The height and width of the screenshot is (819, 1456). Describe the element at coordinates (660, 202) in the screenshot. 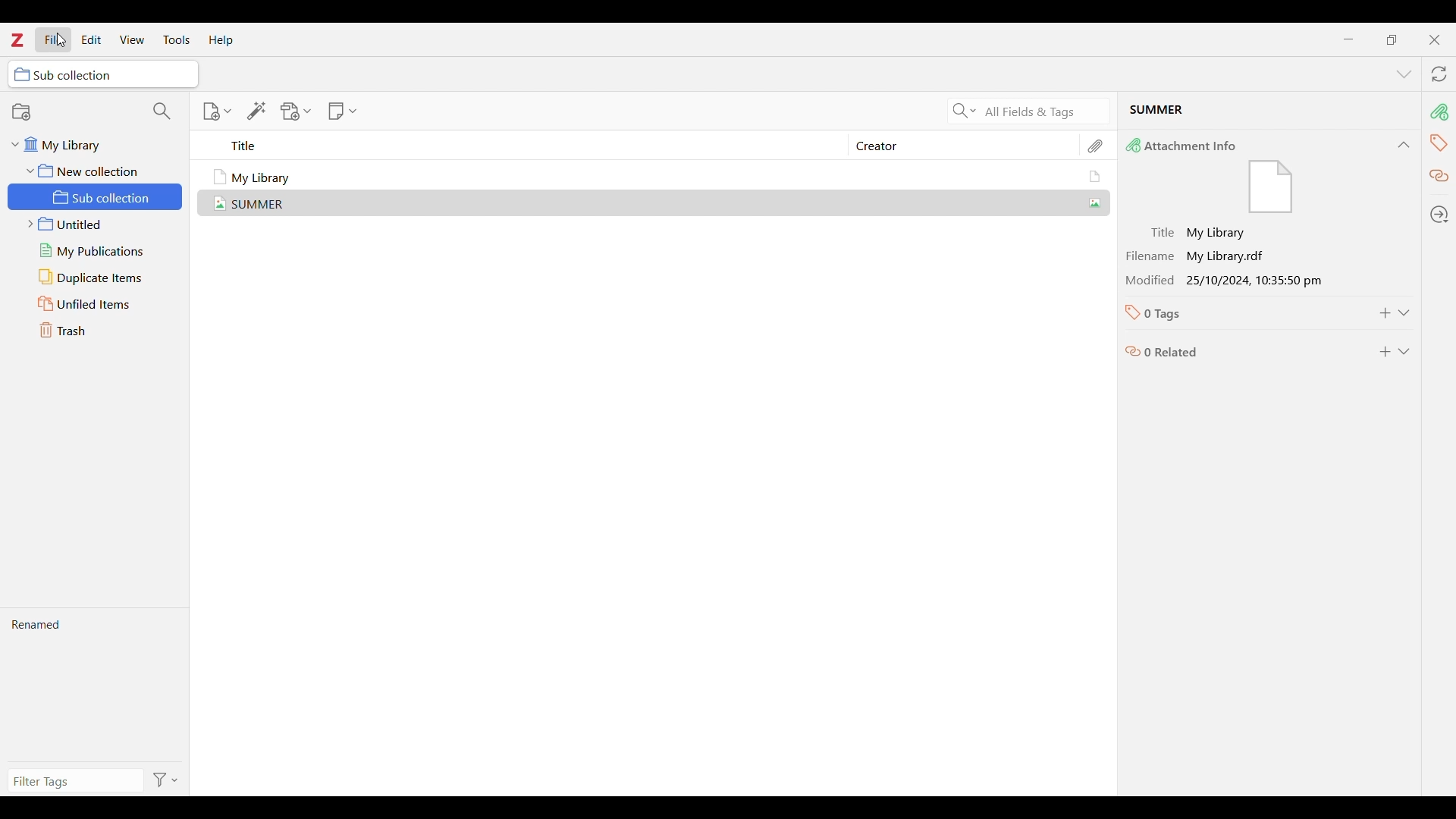

I see `Summer` at that location.